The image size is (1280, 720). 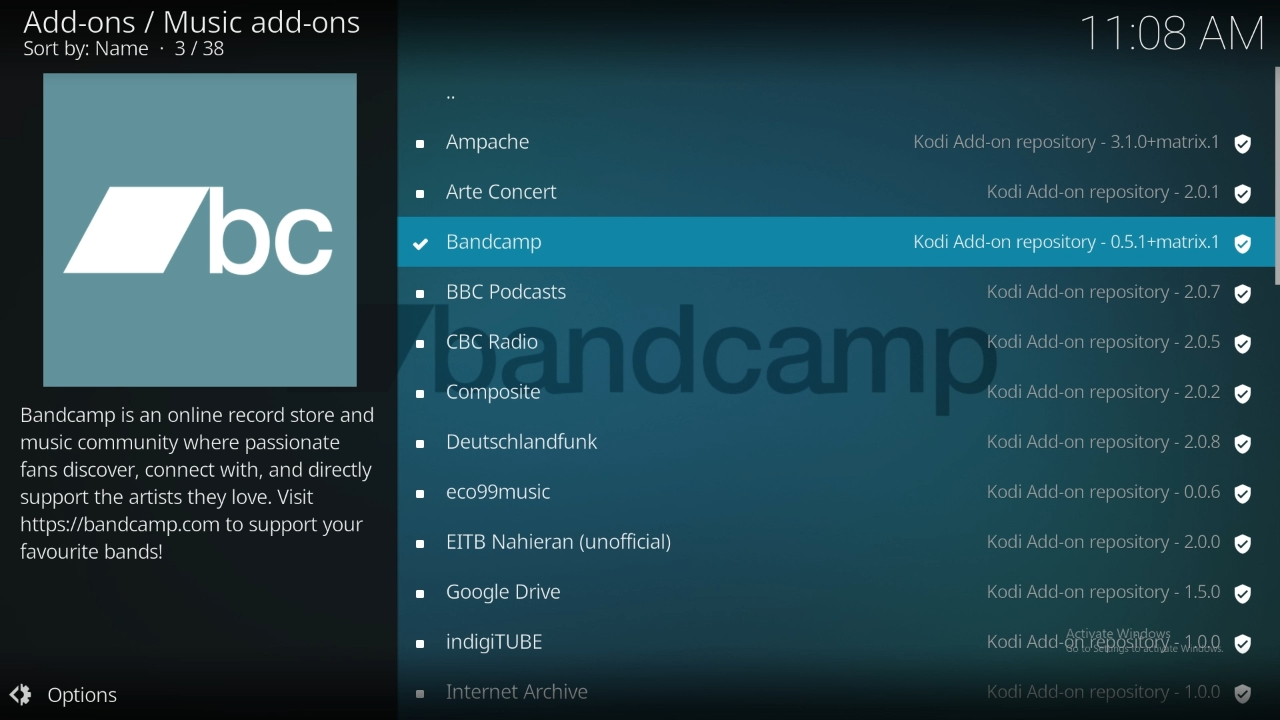 What do you see at coordinates (835, 443) in the screenshot?
I see `add on` at bounding box center [835, 443].